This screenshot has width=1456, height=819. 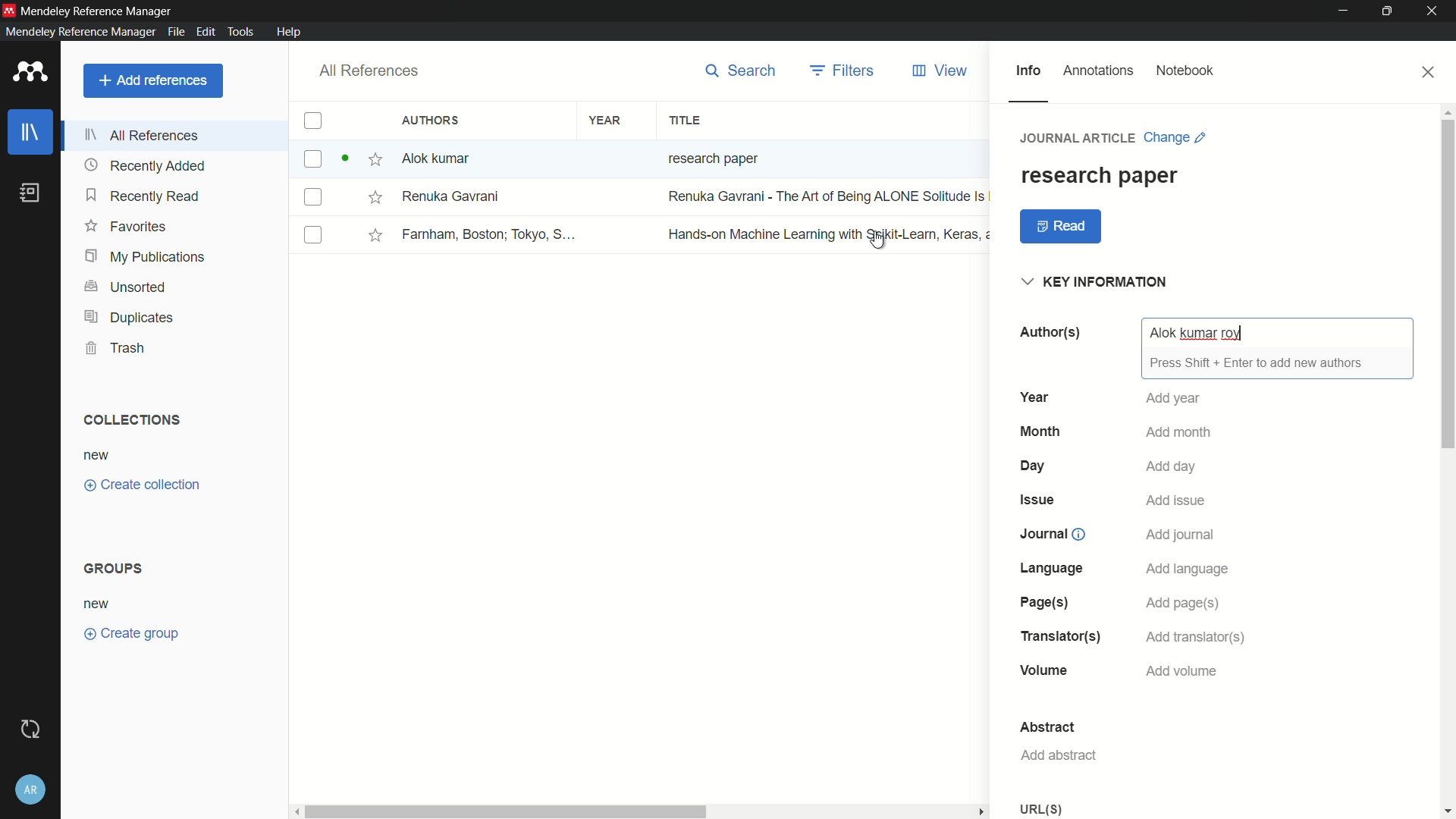 What do you see at coordinates (1257, 362) in the screenshot?
I see `press Shift+Enter to add mew authors` at bounding box center [1257, 362].